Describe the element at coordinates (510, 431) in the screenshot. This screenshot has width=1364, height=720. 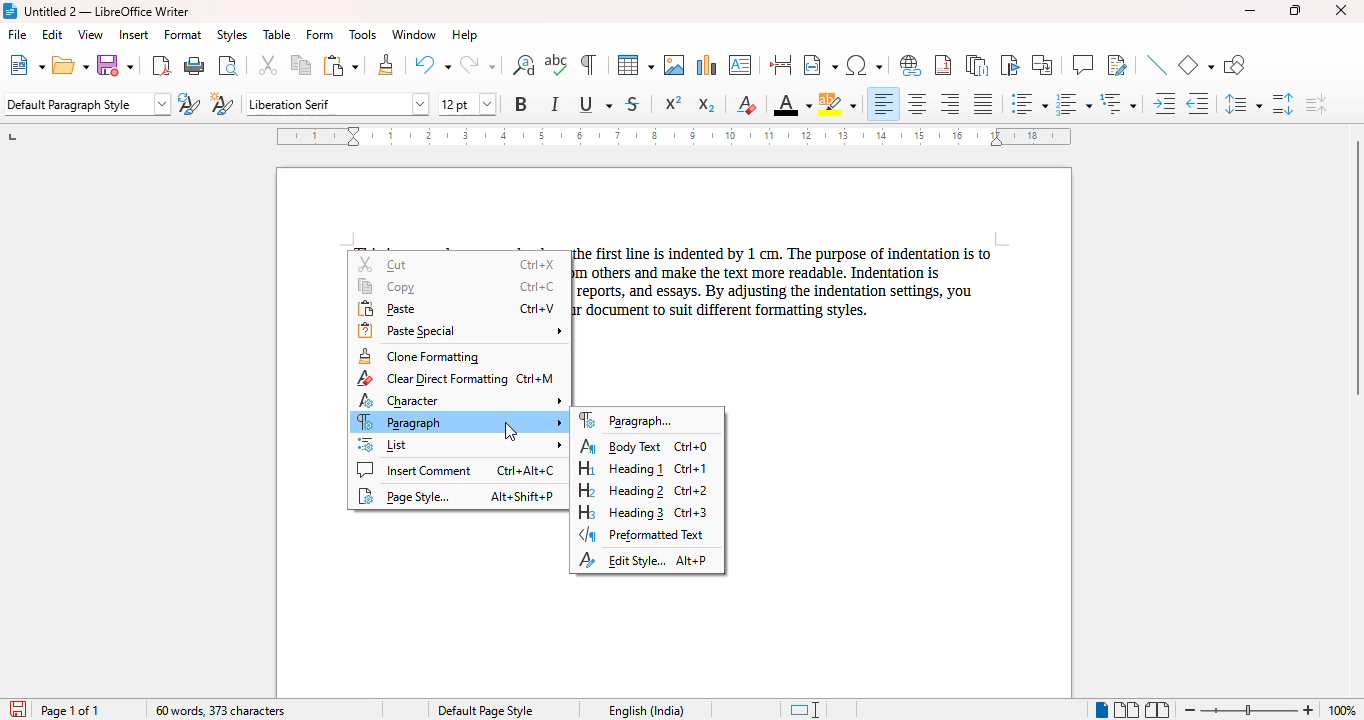
I see `cursor` at that location.